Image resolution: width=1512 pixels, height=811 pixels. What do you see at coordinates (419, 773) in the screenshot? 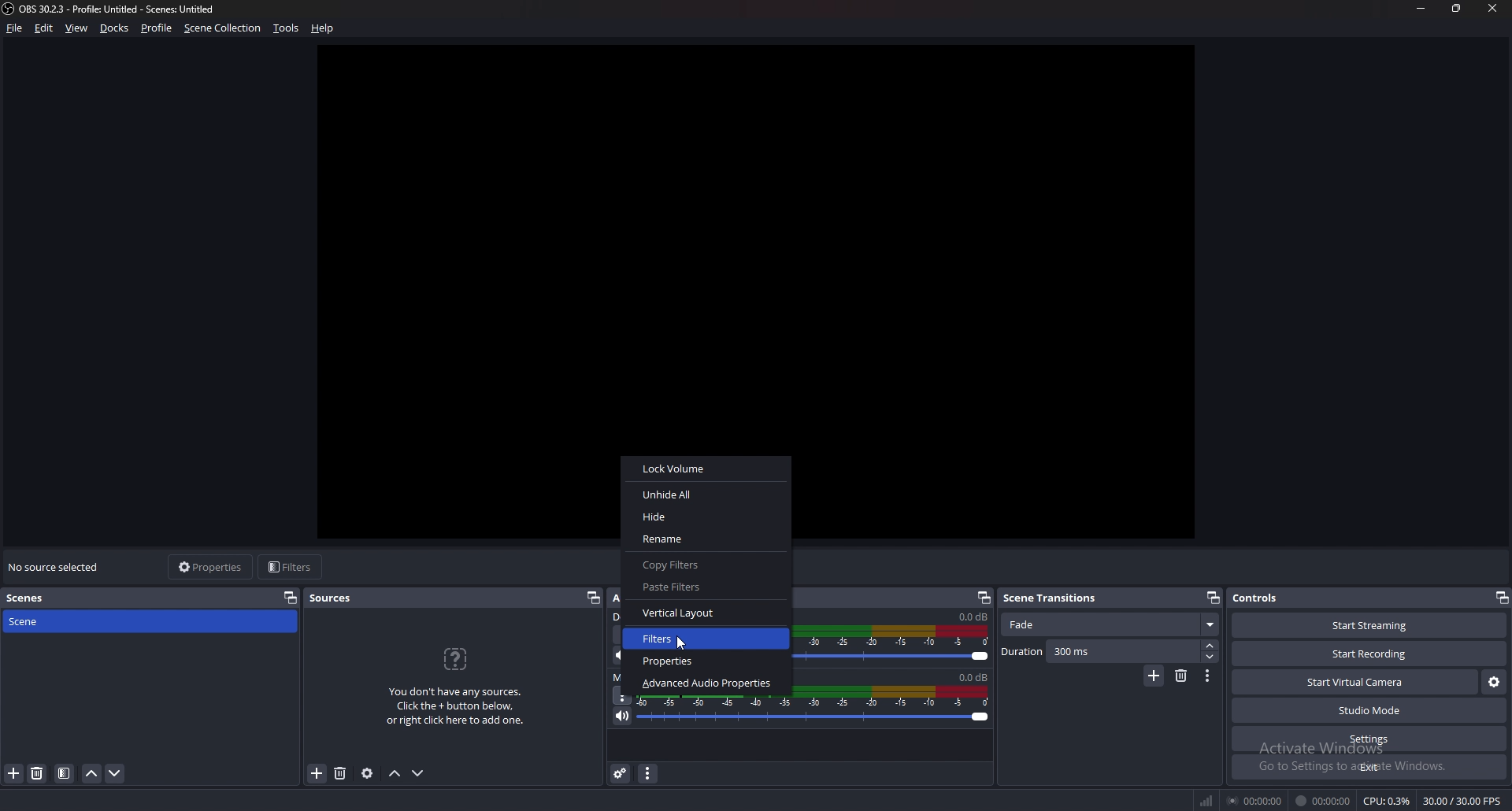
I see `move source down` at bounding box center [419, 773].